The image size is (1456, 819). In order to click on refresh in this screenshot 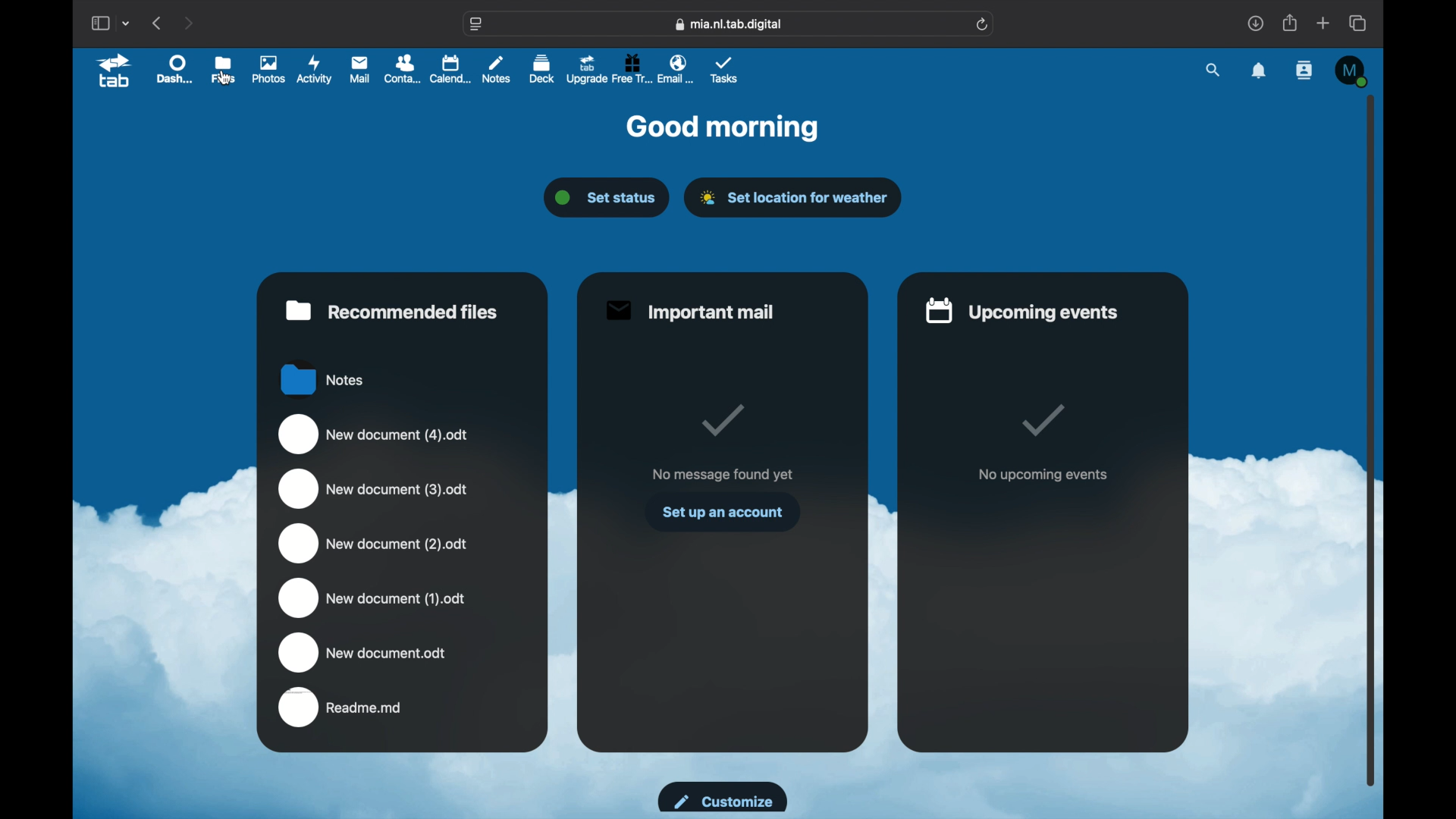, I will do `click(983, 25)`.